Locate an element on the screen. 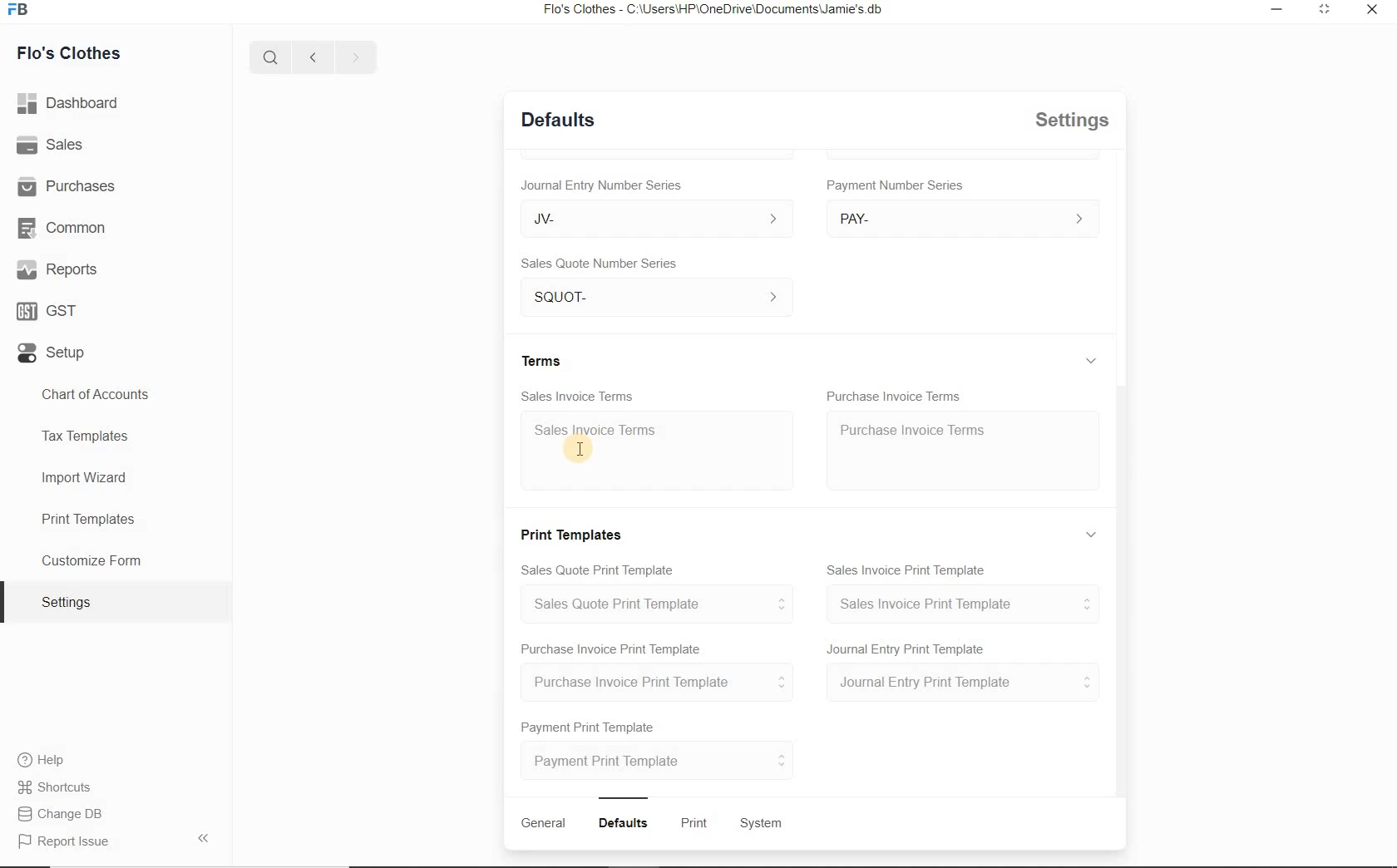  Dashboard is located at coordinates (72, 105).